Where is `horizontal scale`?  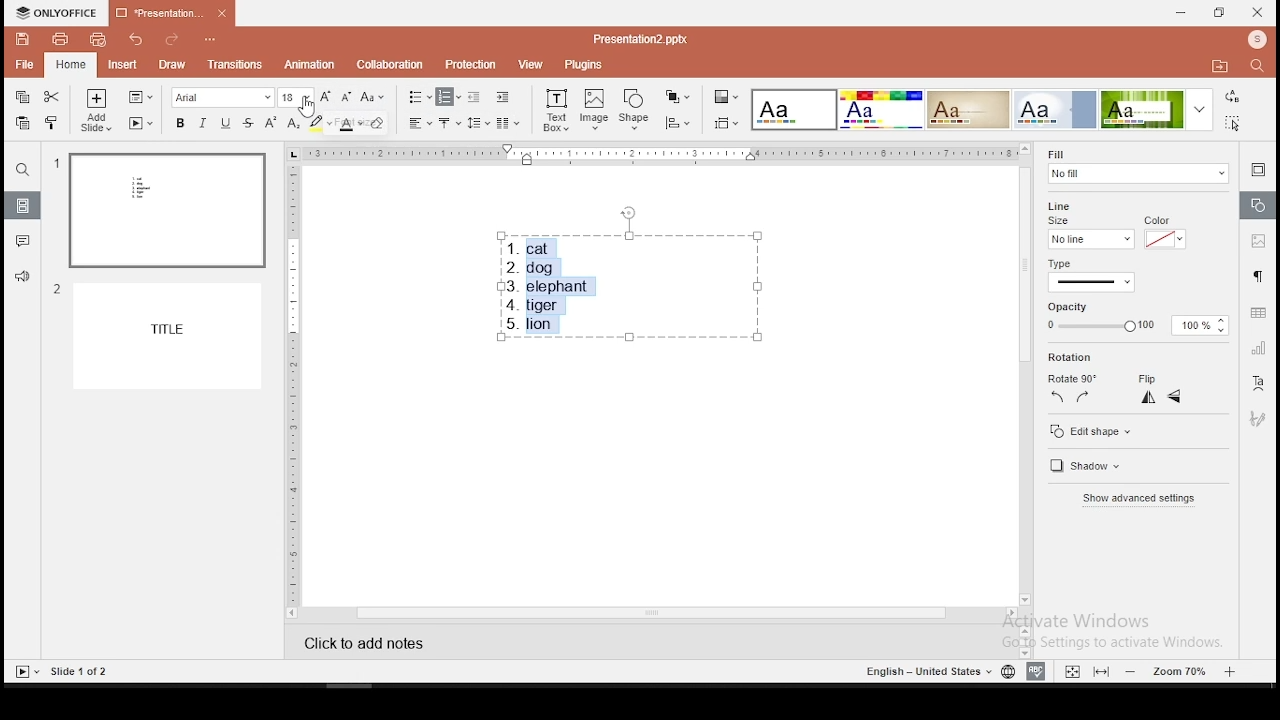
horizontal scale is located at coordinates (660, 153).